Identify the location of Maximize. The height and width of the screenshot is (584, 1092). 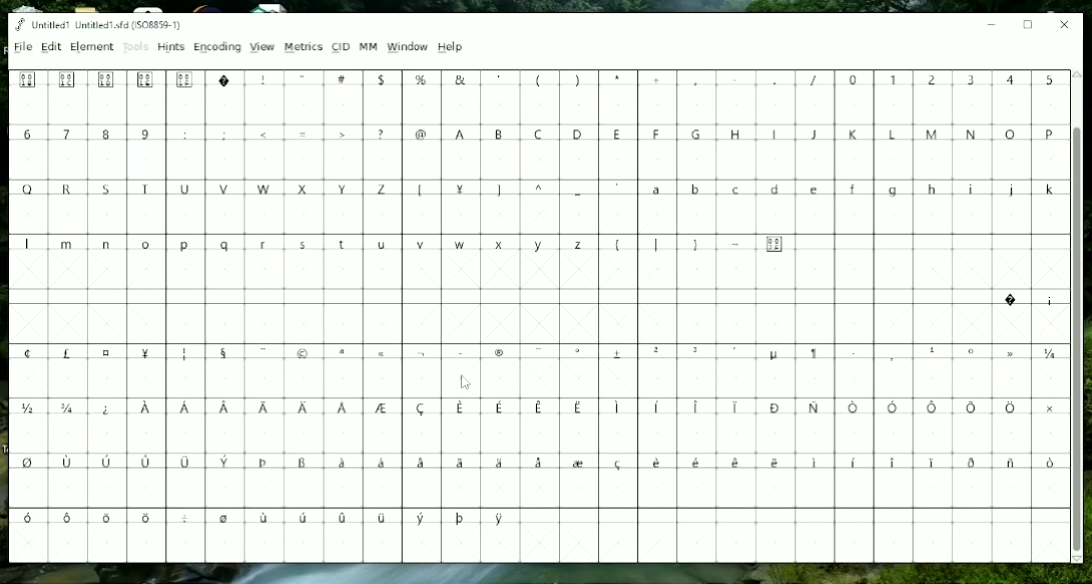
(1028, 25).